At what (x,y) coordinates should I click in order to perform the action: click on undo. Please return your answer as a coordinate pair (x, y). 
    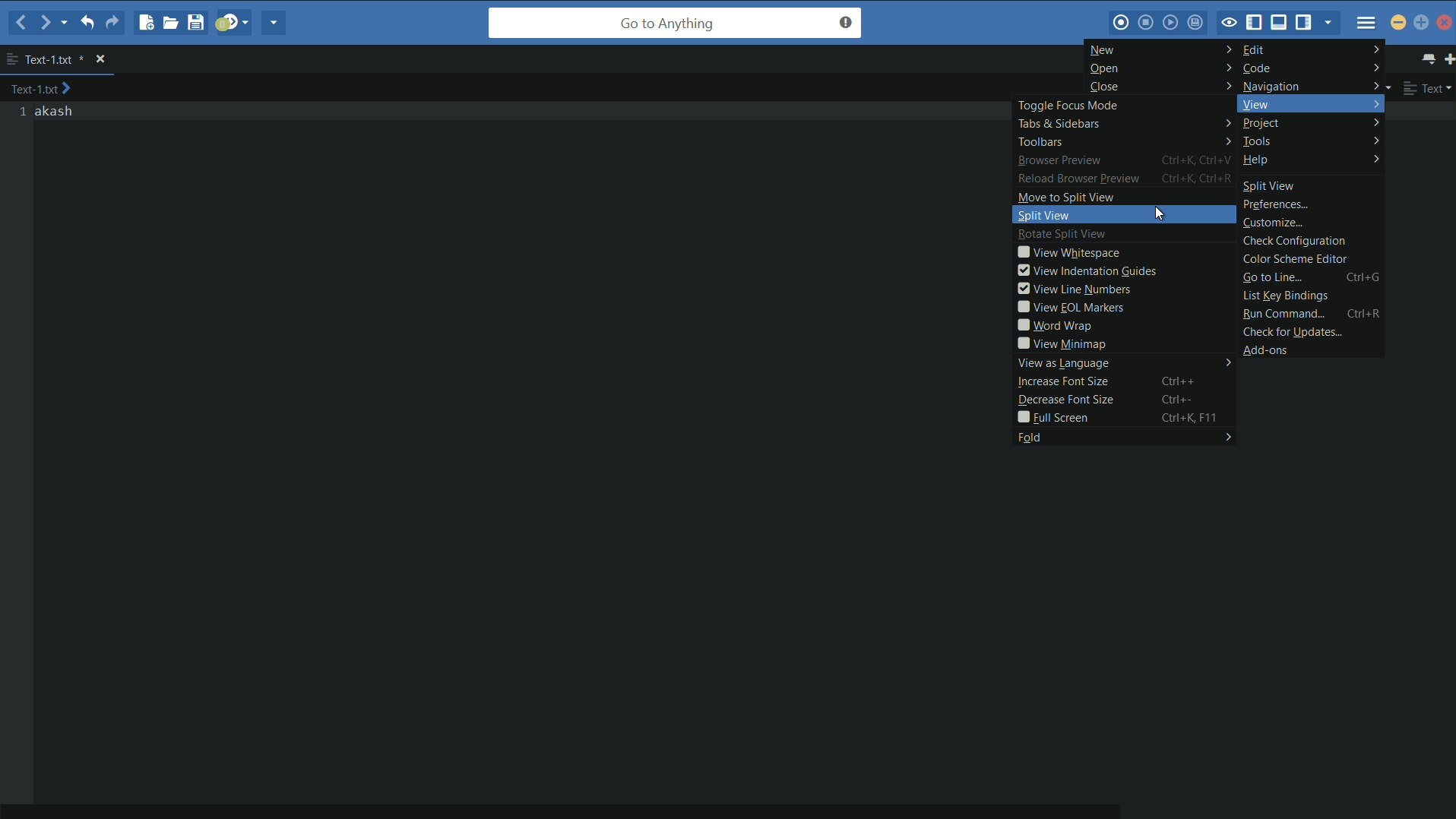
    Looking at the image, I should click on (86, 21).